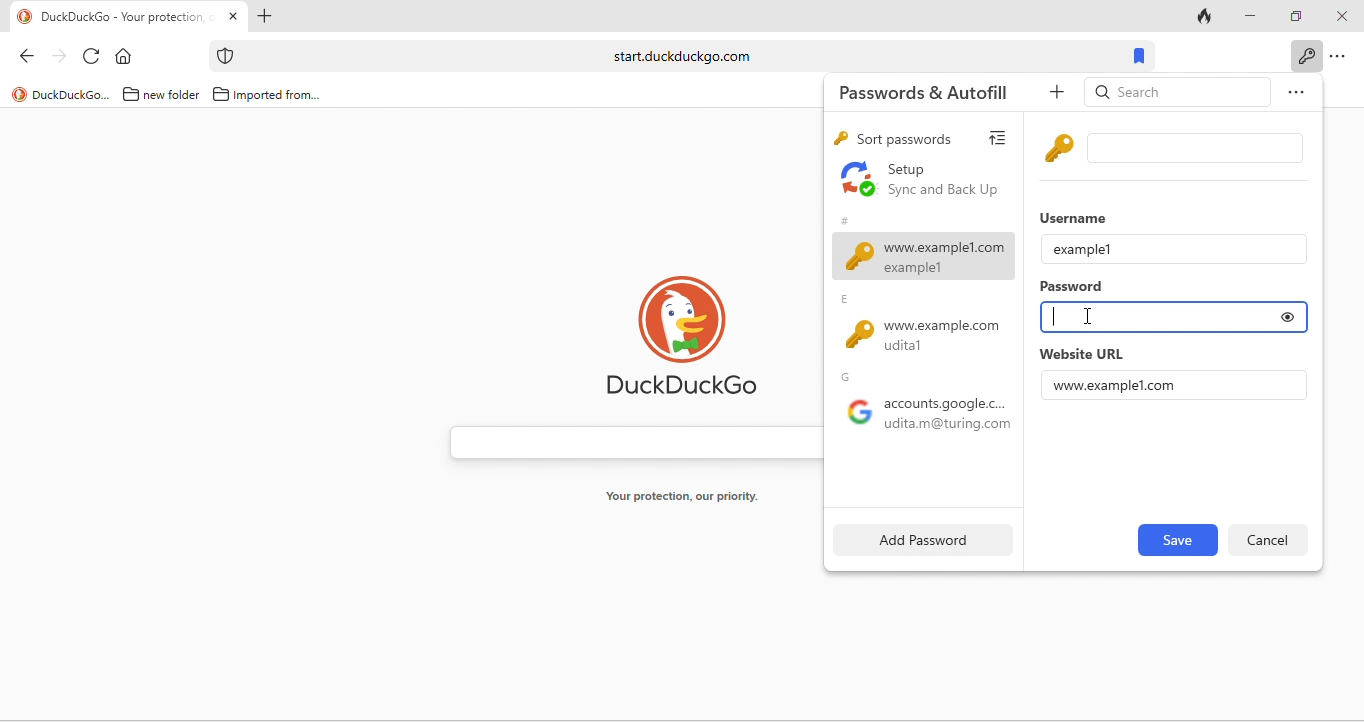 This screenshot has width=1364, height=722. I want to click on search bar, so click(626, 438).